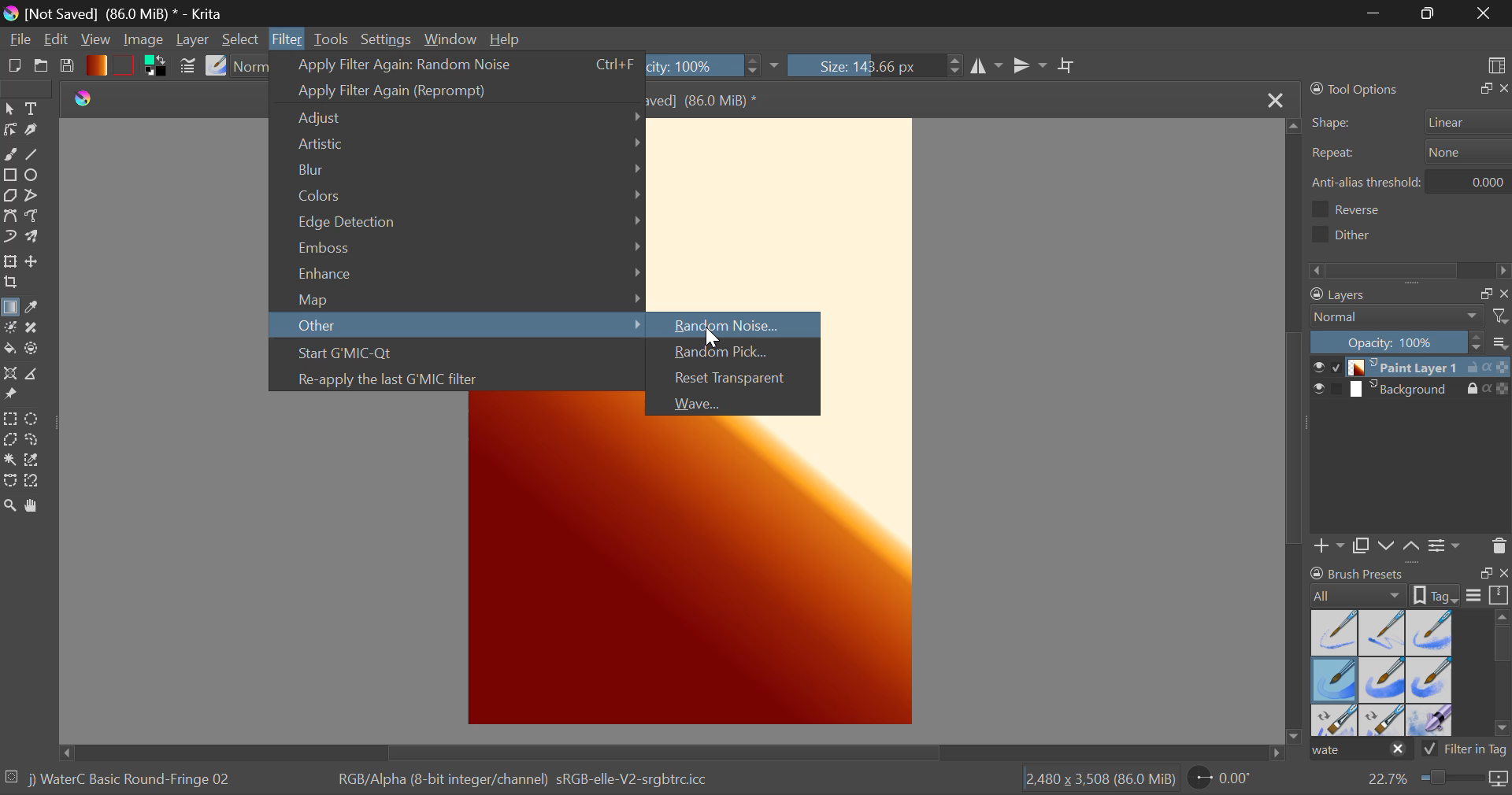 Image resolution: width=1512 pixels, height=795 pixels. Describe the element at coordinates (11, 154) in the screenshot. I see `Freehand` at that location.